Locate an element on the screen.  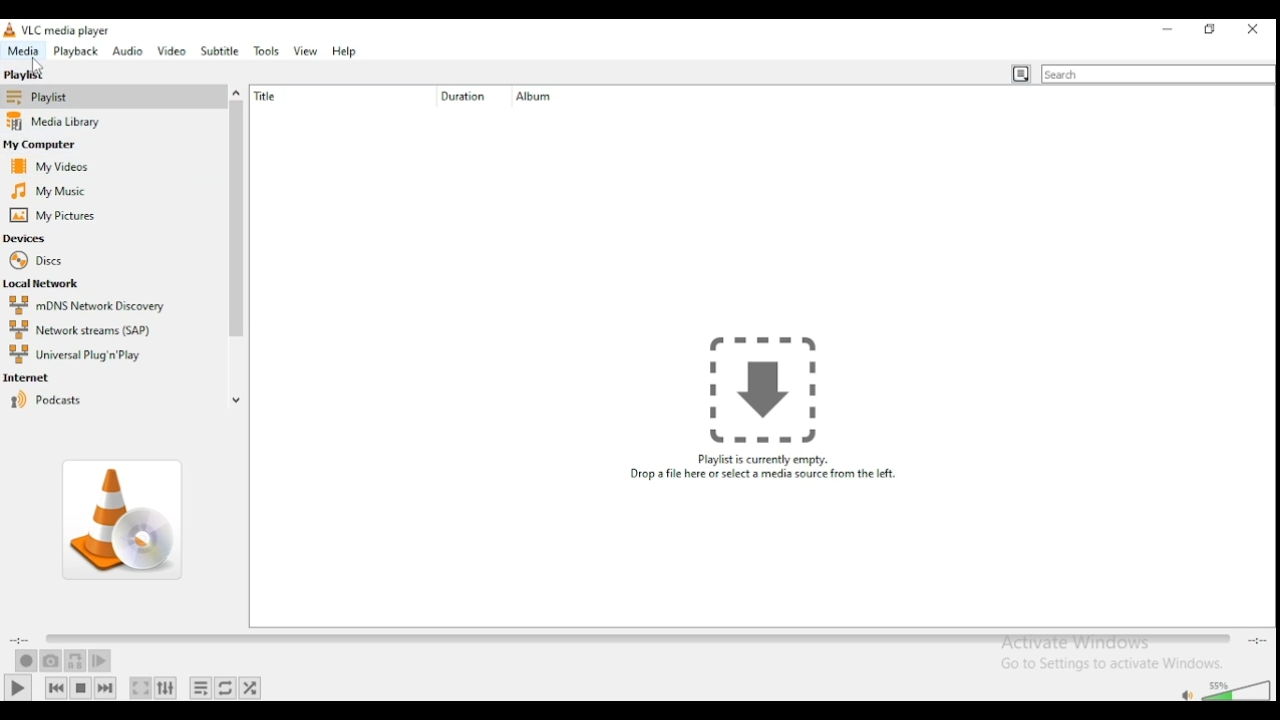
my computer is located at coordinates (46, 146).